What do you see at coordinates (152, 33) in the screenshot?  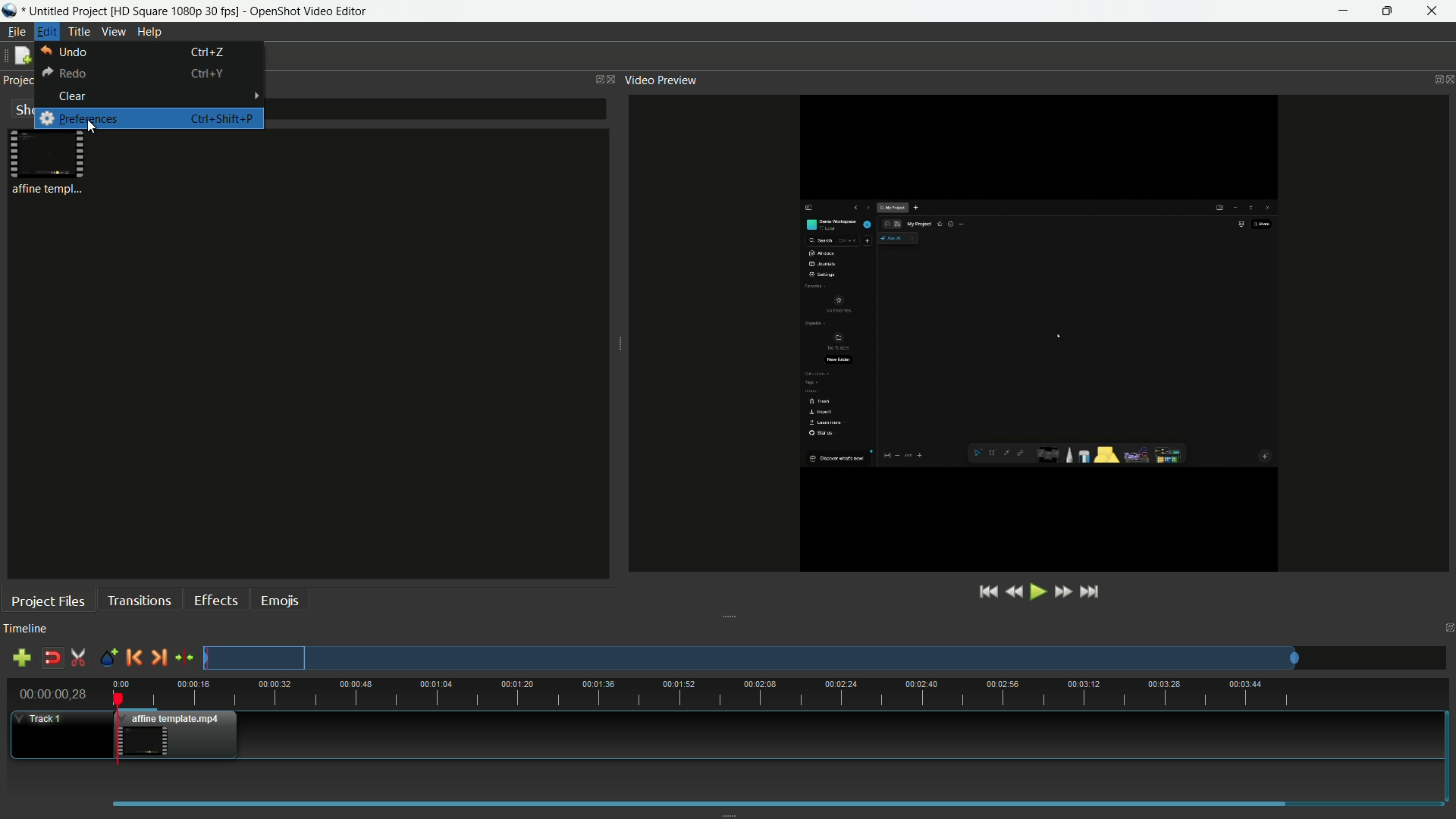 I see `help menu` at bounding box center [152, 33].